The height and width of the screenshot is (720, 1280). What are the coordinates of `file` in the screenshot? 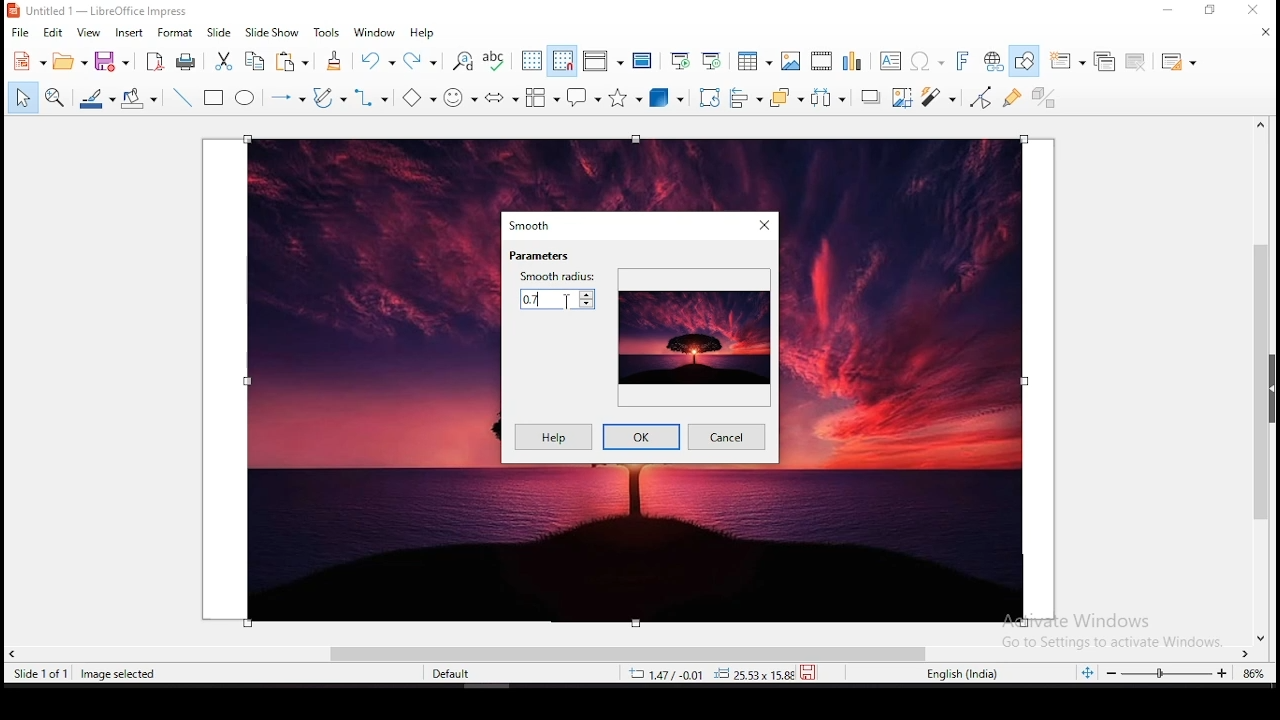 It's located at (18, 33).